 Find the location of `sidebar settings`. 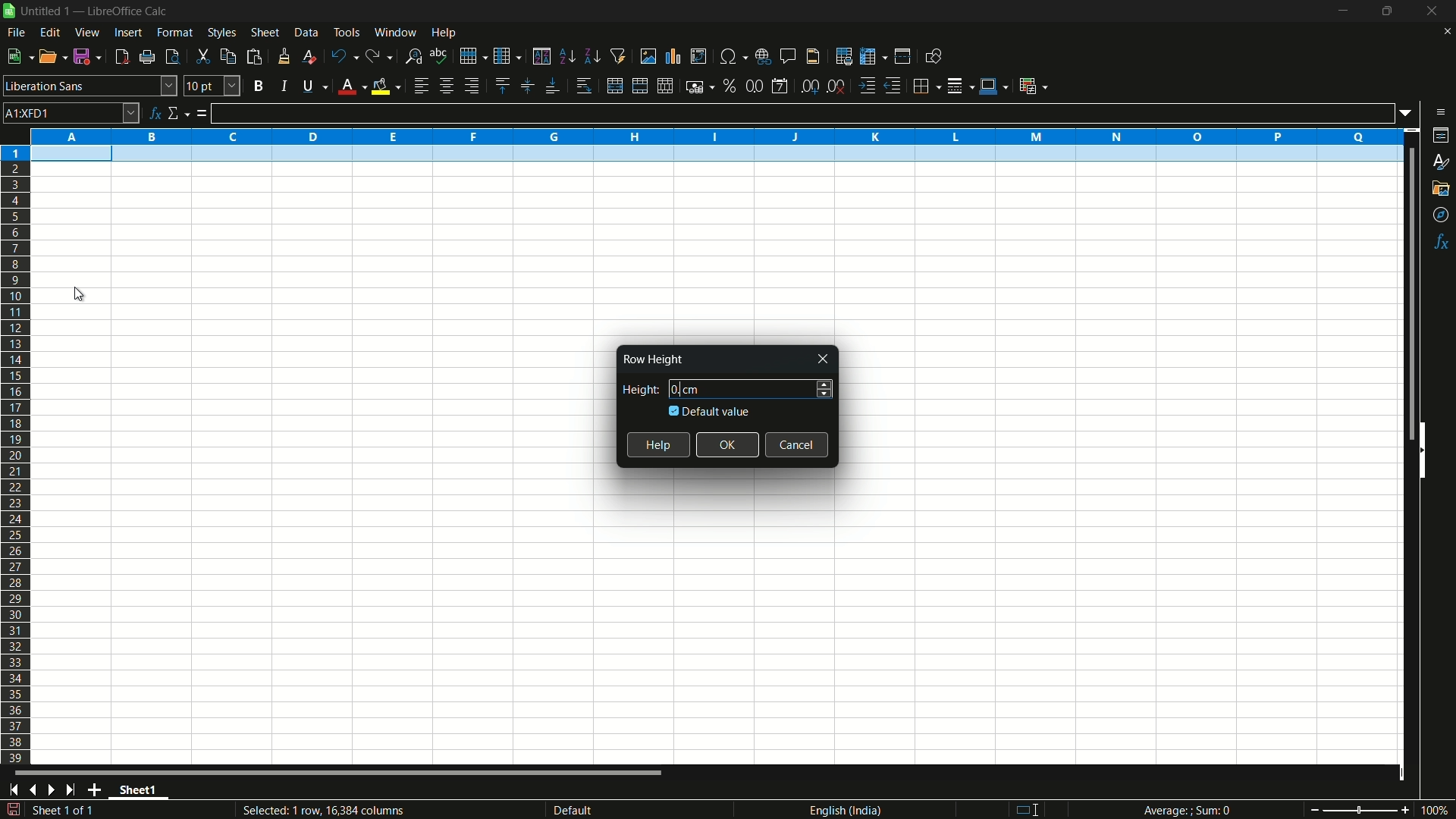

sidebar settings is located at coordinates (1440, 112).